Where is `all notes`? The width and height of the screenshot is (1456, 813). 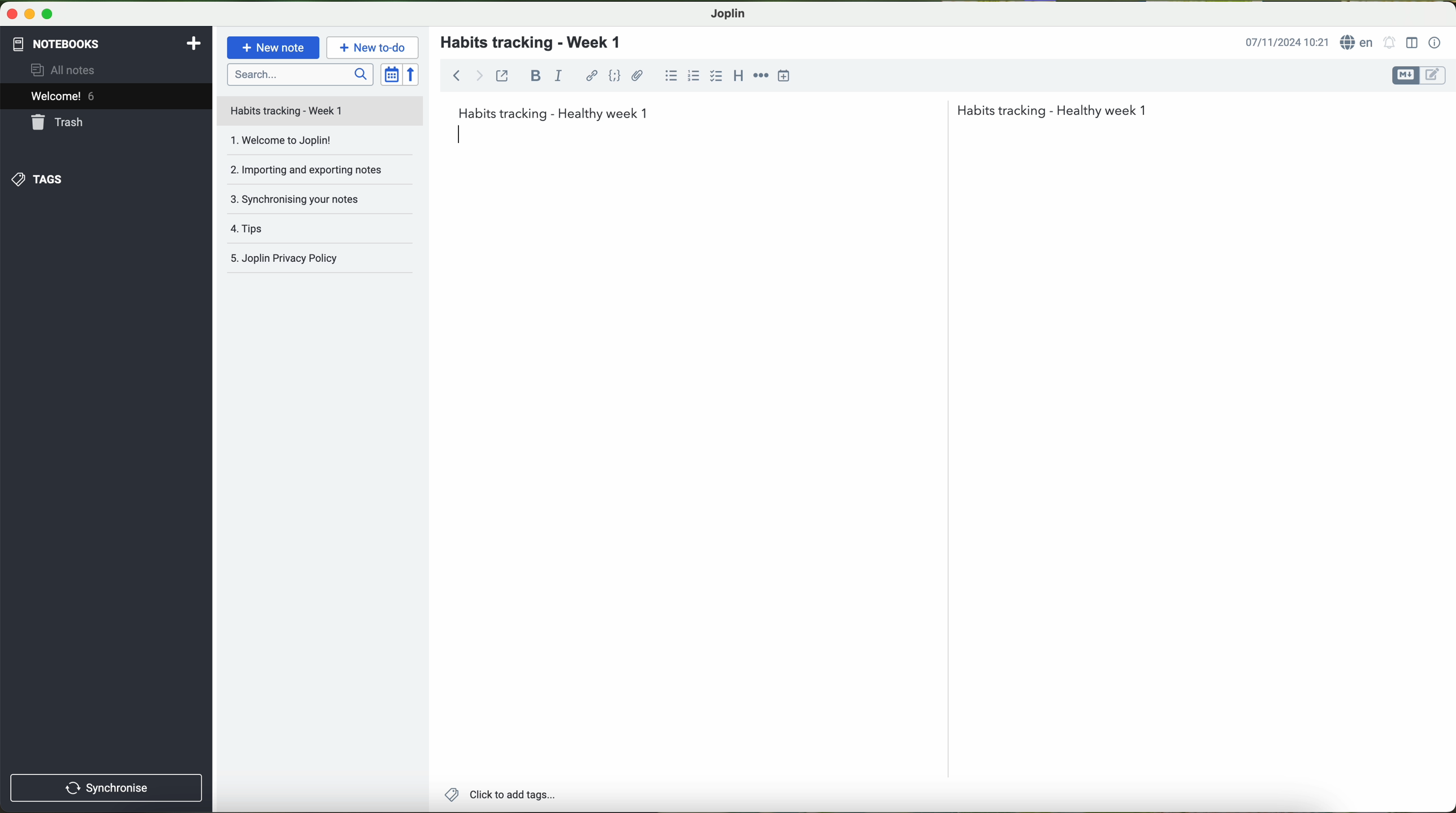
all notes is located at coordinates (66, 69).